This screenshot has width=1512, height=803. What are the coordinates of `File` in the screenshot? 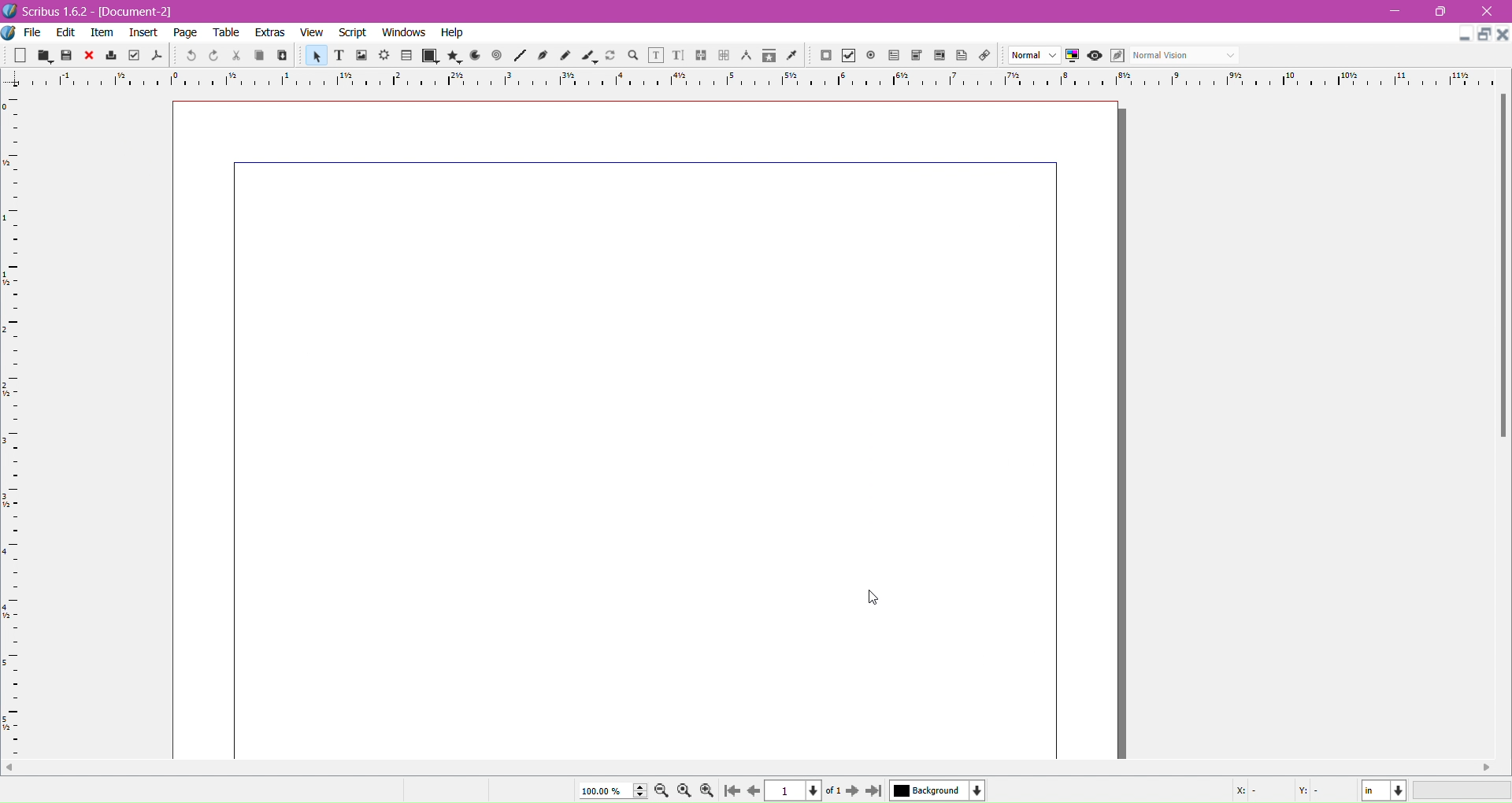 It's located at (26, 31).